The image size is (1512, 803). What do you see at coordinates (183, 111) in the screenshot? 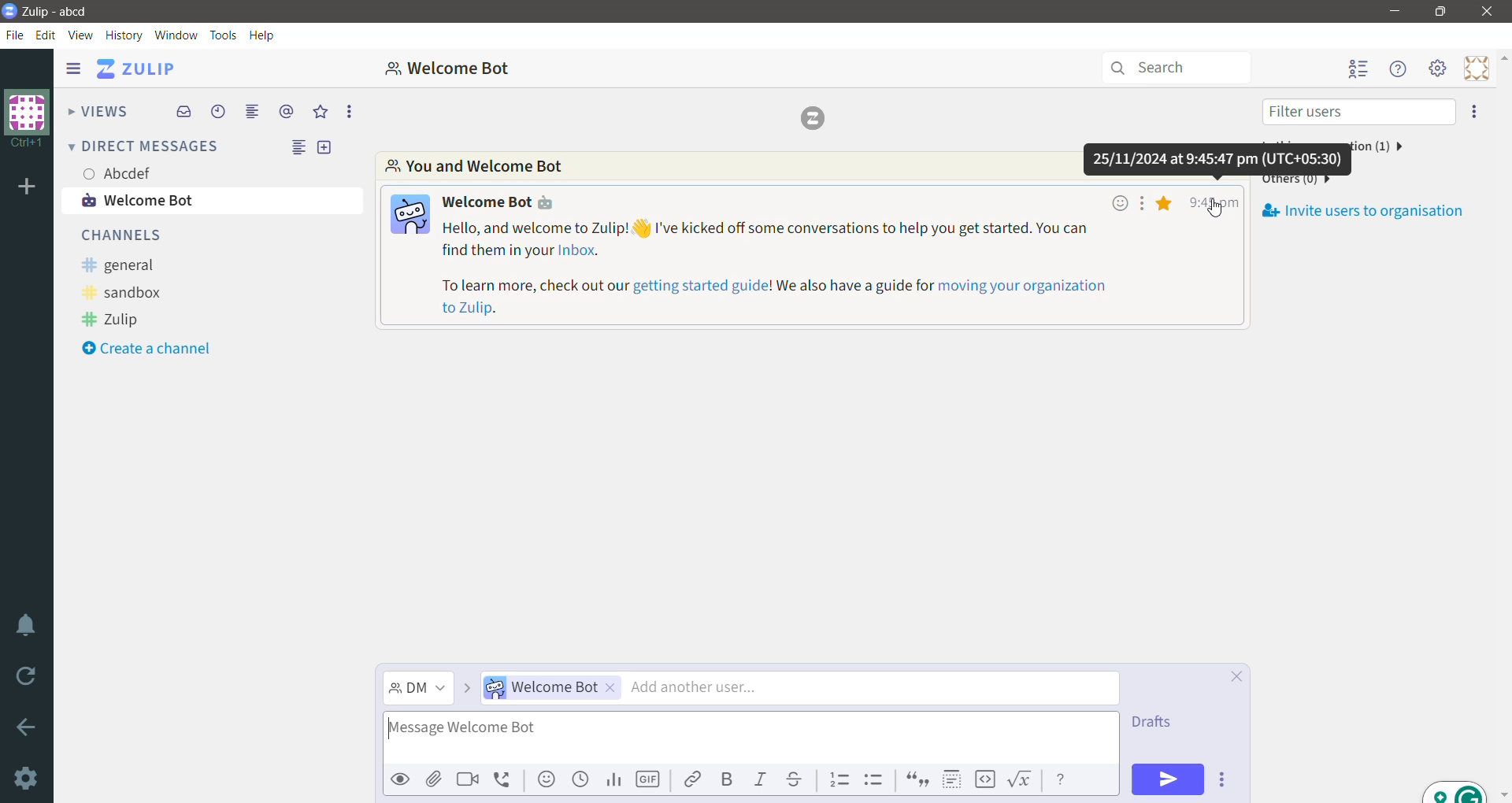
I see `Inbox` at bounding box center [183, 111].